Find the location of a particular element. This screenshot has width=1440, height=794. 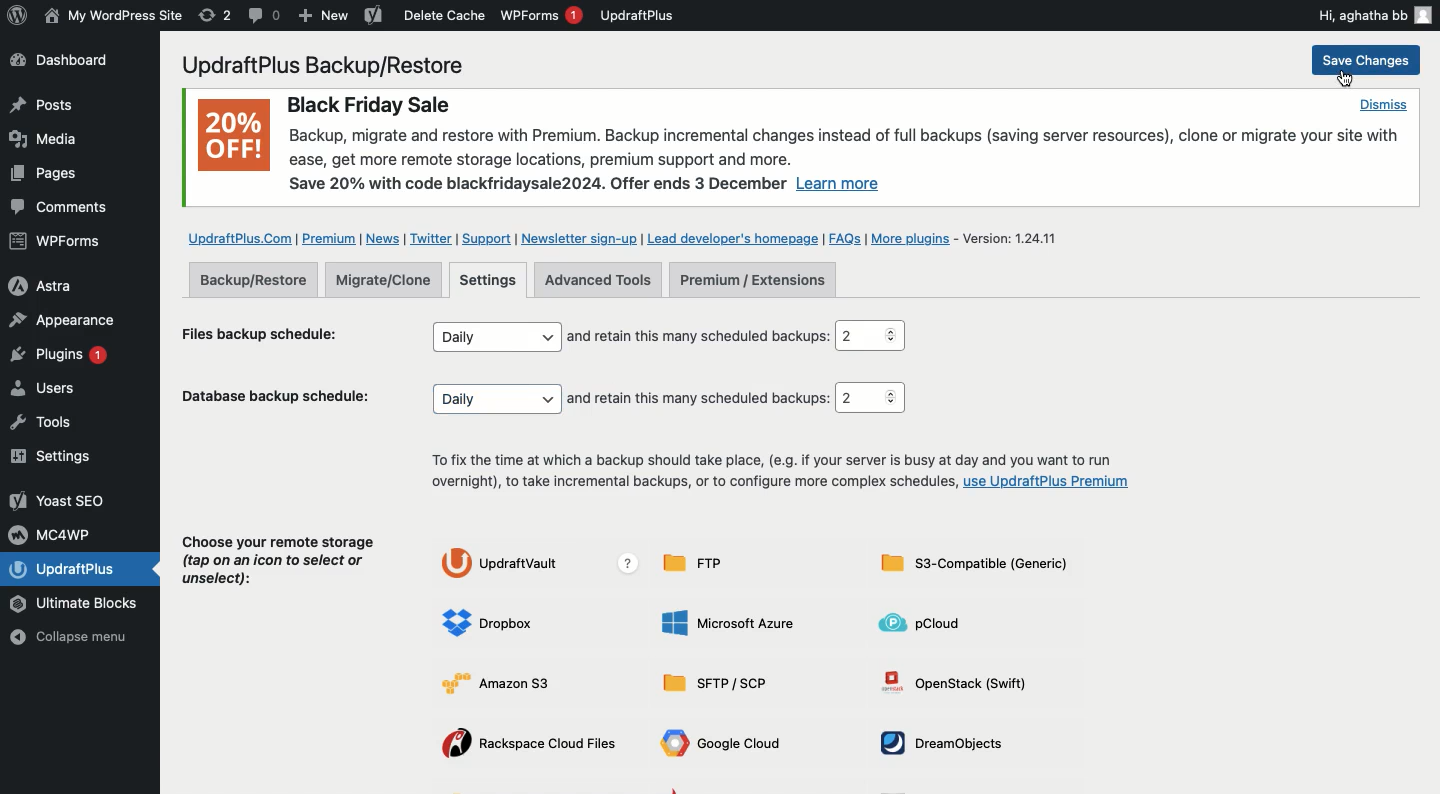

Support is located at coordinates (485, 239).